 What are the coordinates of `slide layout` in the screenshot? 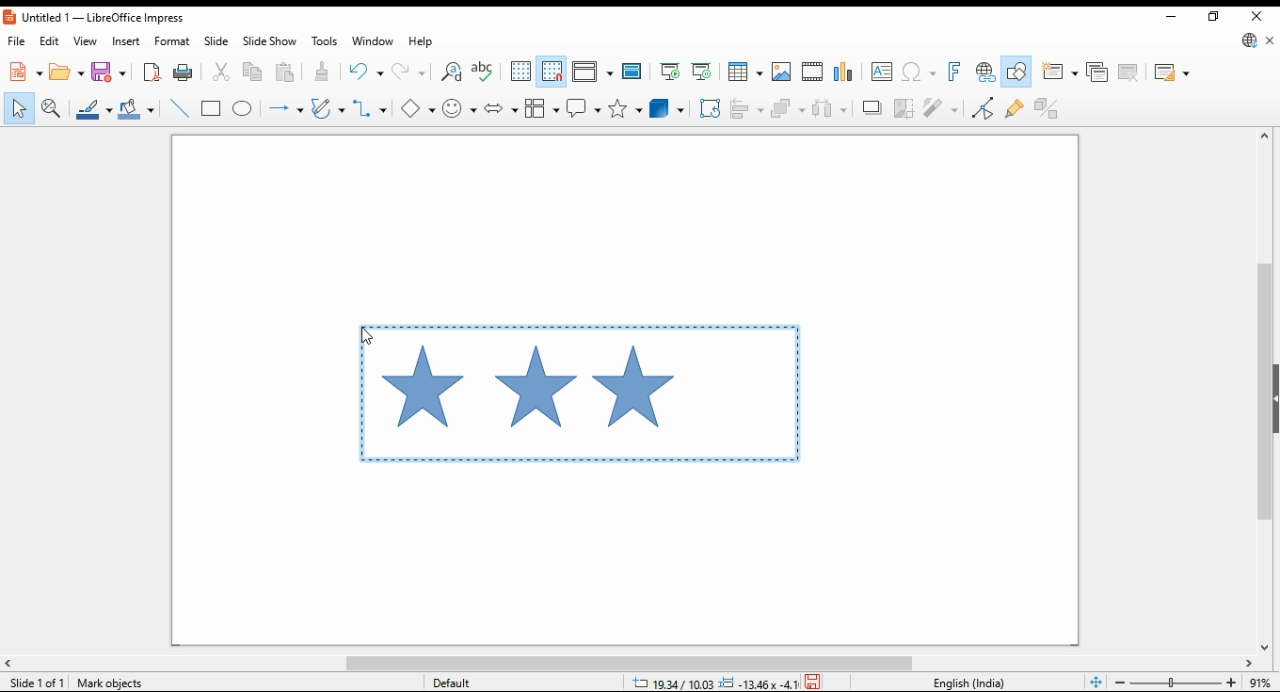 It's located at (1173, 73).